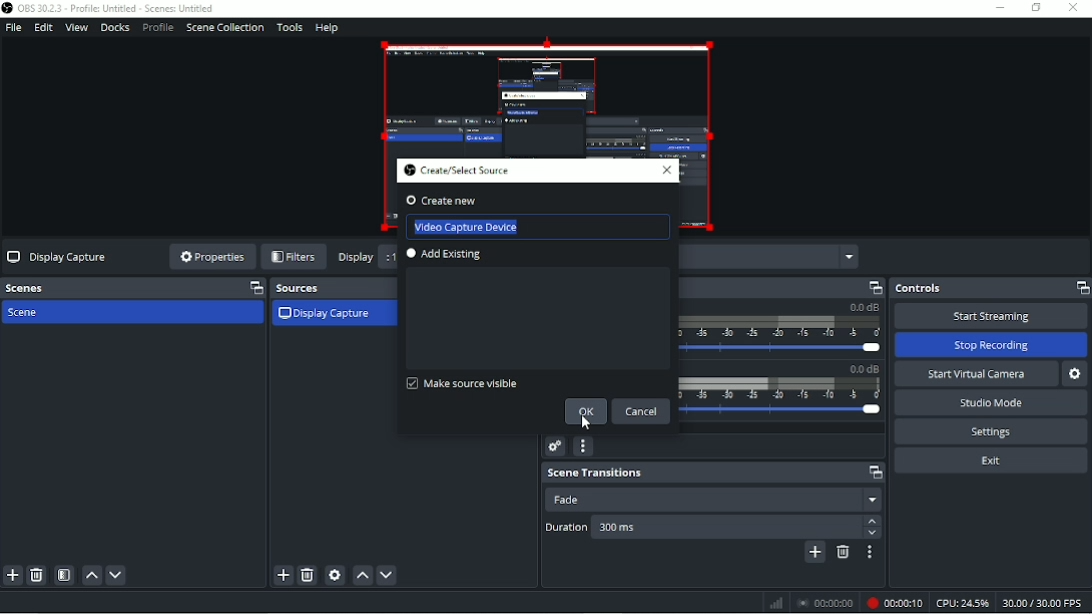  What do you see at coordinates (1075, 374) in the screenshot?
I see `Configure virtual camera` at bounding box center [1075, 374].